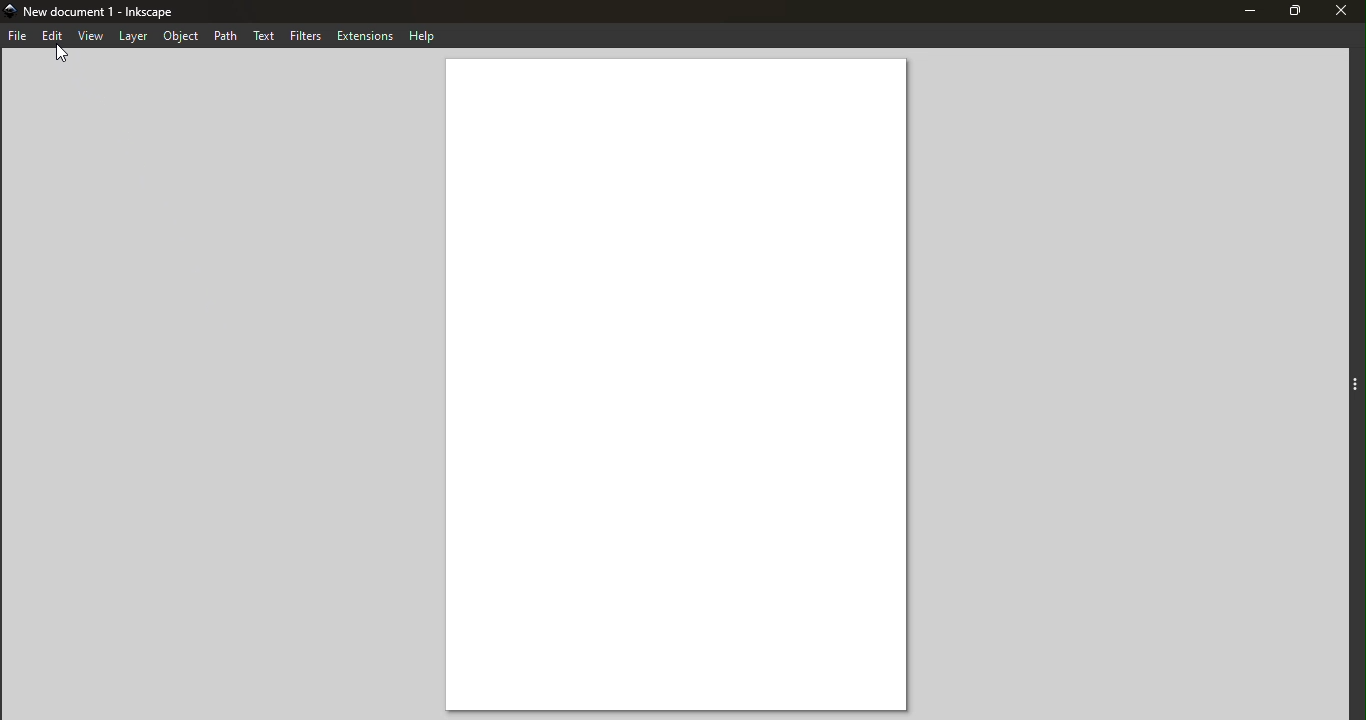 This screenshot has width=1366, height=720. I want to click on Filters, so click(305, 34).